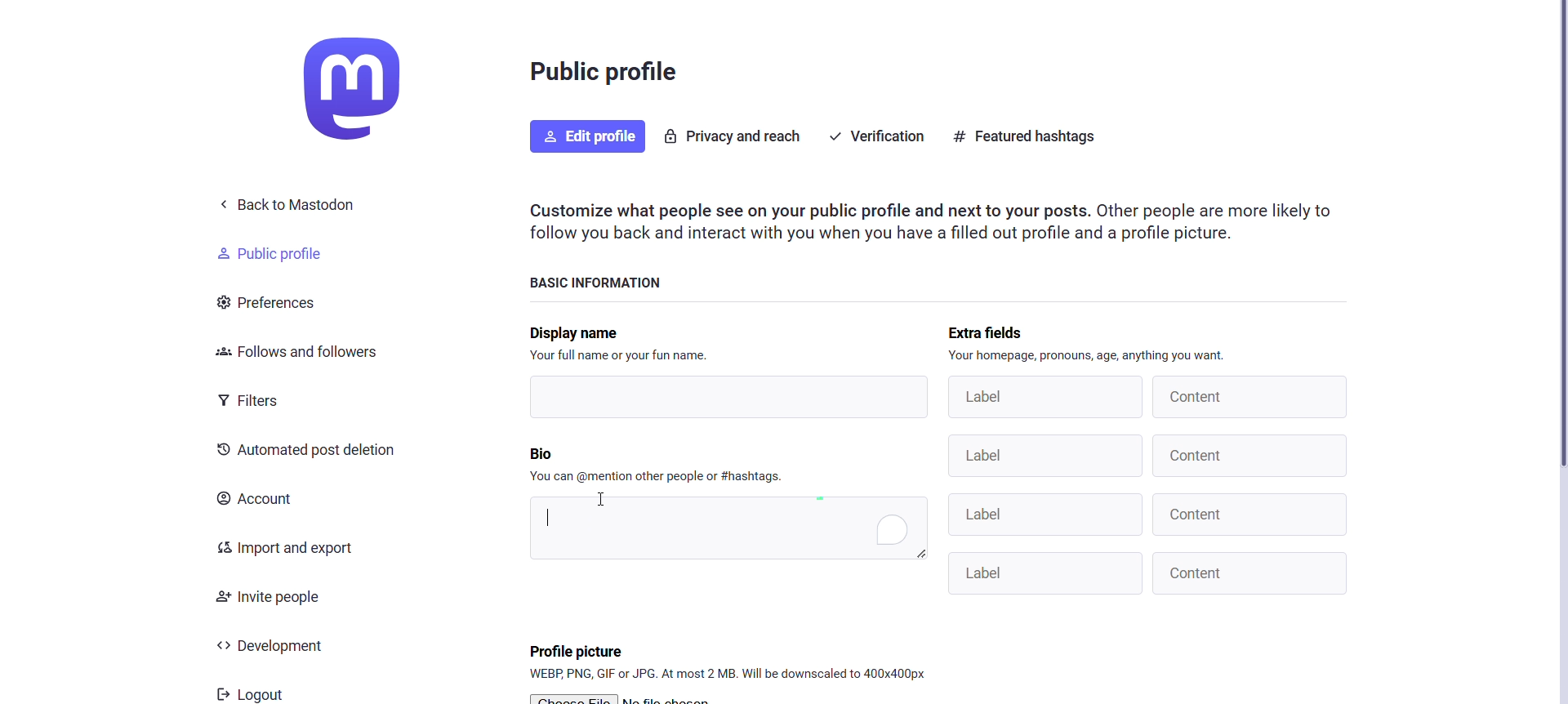  What do you see at coordinates (1003, 326) in the screenshot?
I see `Extra Fields` at bounding box center [1003, 326].